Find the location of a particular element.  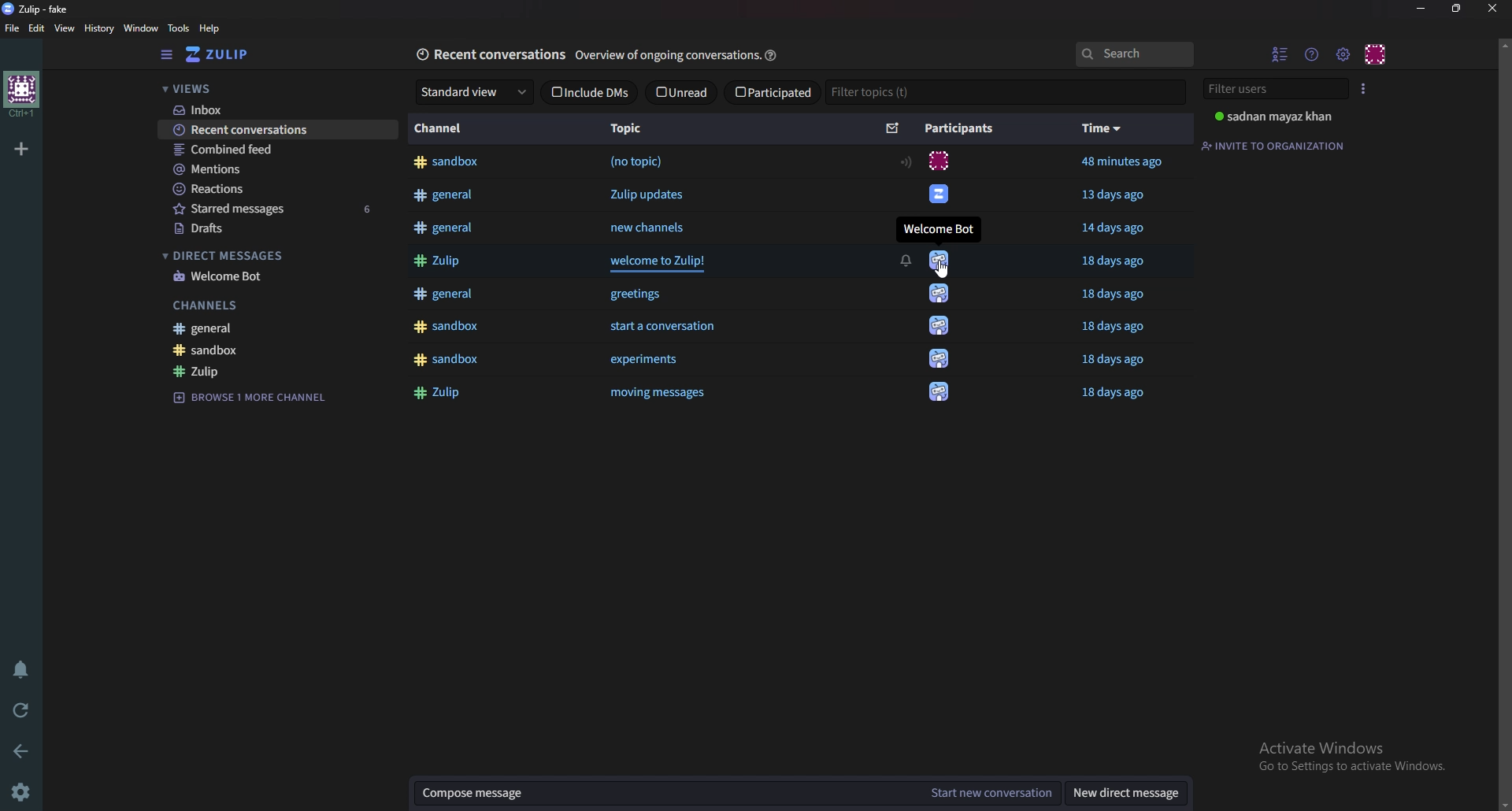

Sadnan mayaz khan is located at coordinates (1278, 117).